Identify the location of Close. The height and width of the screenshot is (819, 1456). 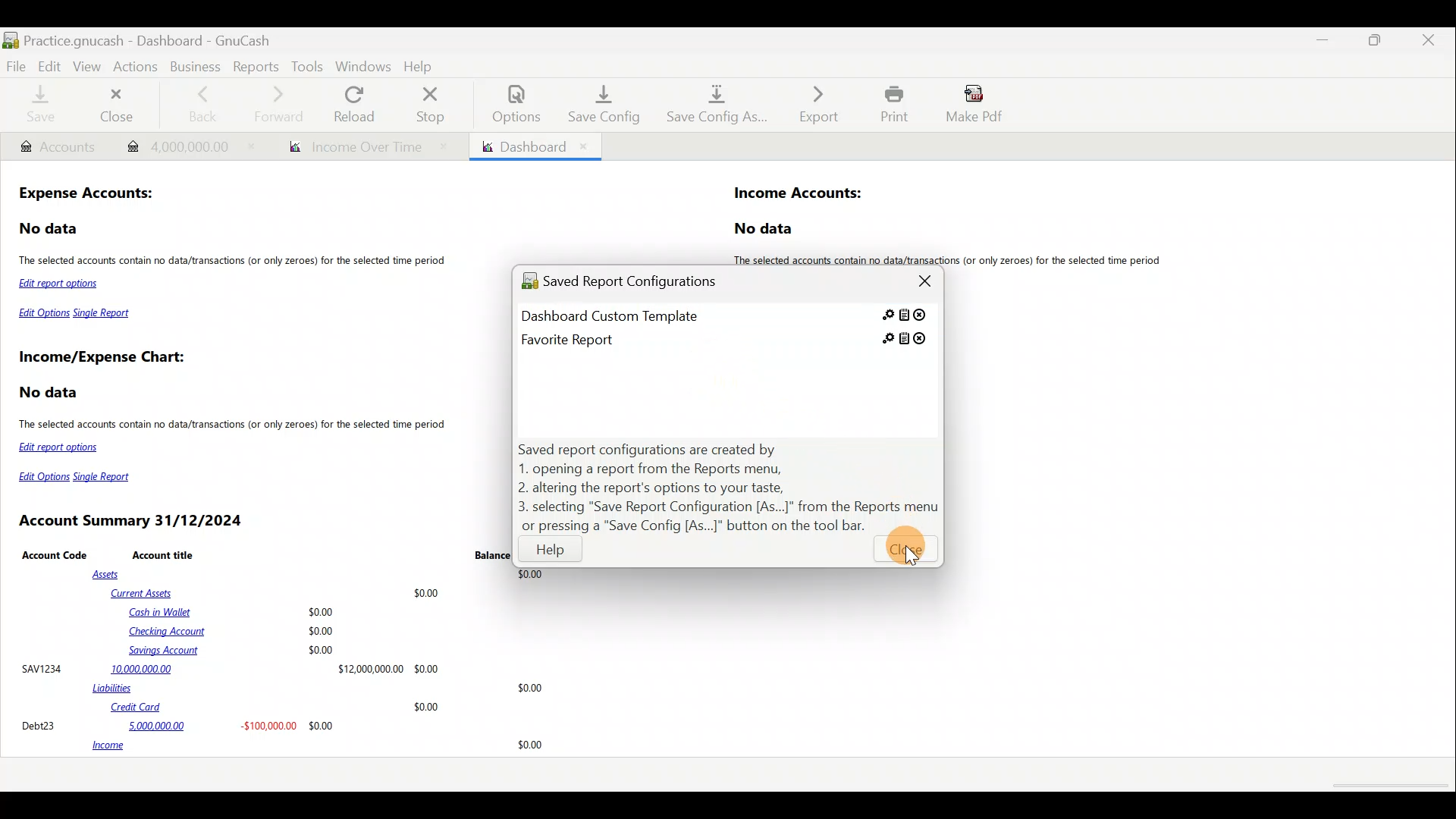
(1429, 42).